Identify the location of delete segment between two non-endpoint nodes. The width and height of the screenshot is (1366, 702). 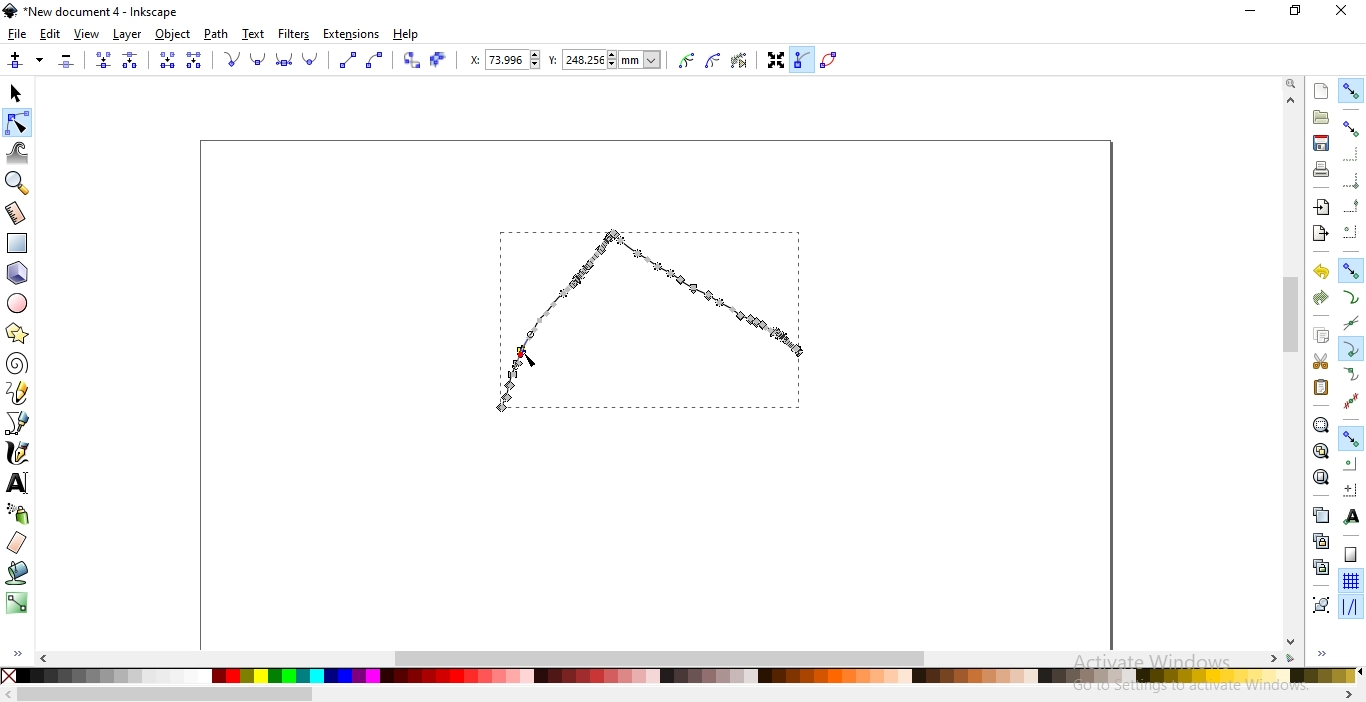
(195, 60).